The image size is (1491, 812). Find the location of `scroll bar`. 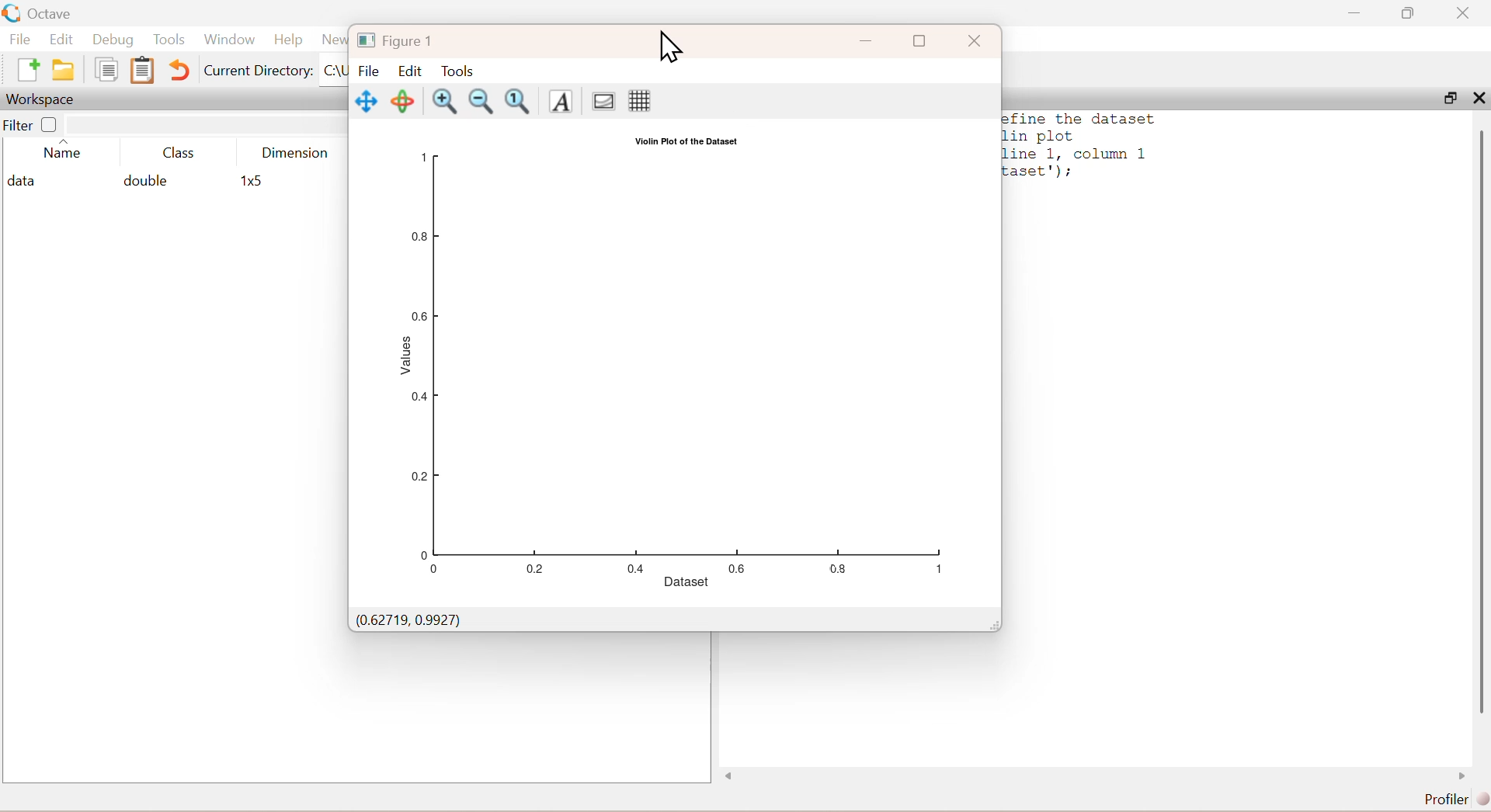

scroll bar is located at coordinates (1481, 425).